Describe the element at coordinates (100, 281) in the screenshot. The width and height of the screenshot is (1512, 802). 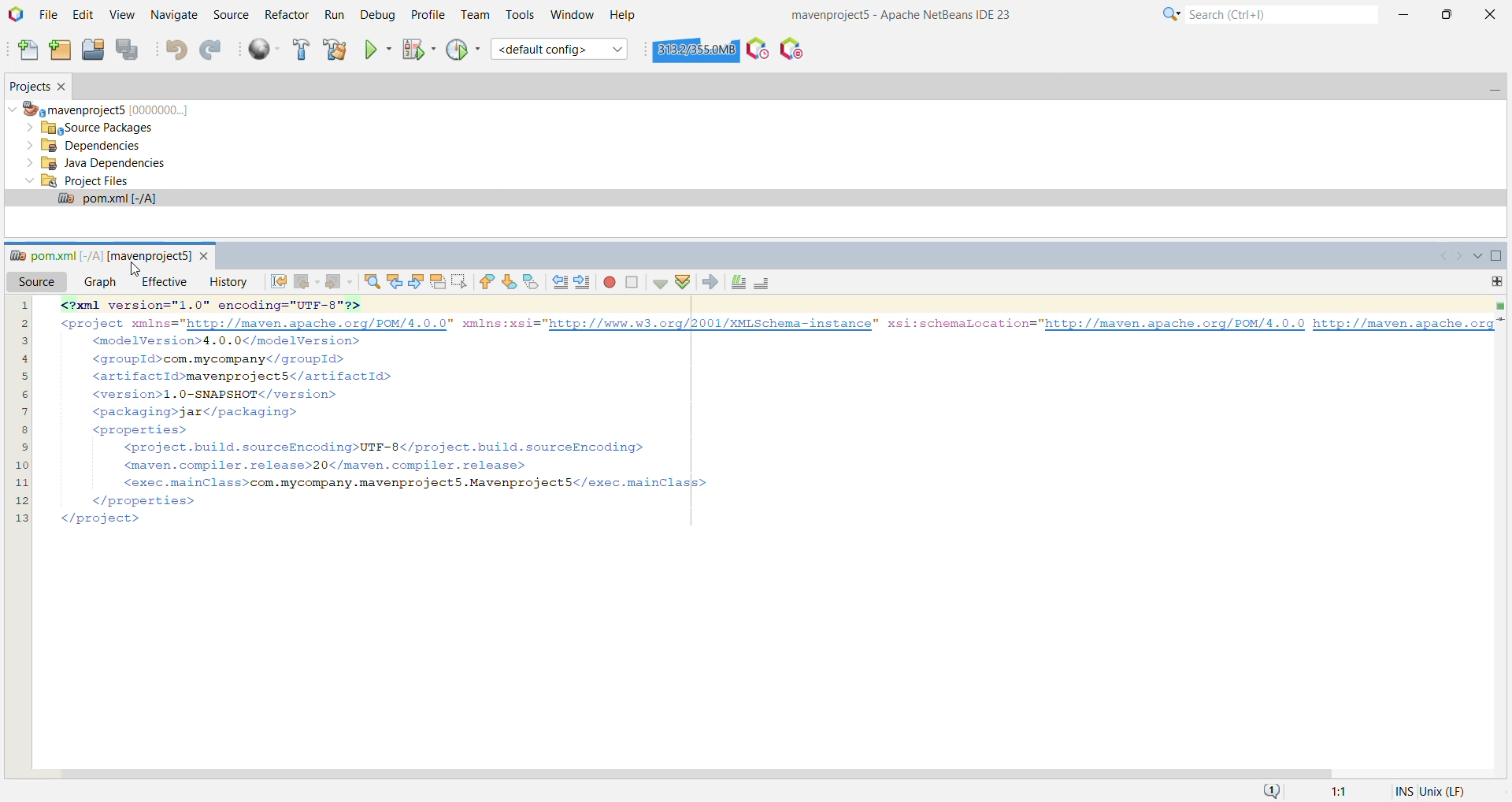
I see `Graph` at that location.